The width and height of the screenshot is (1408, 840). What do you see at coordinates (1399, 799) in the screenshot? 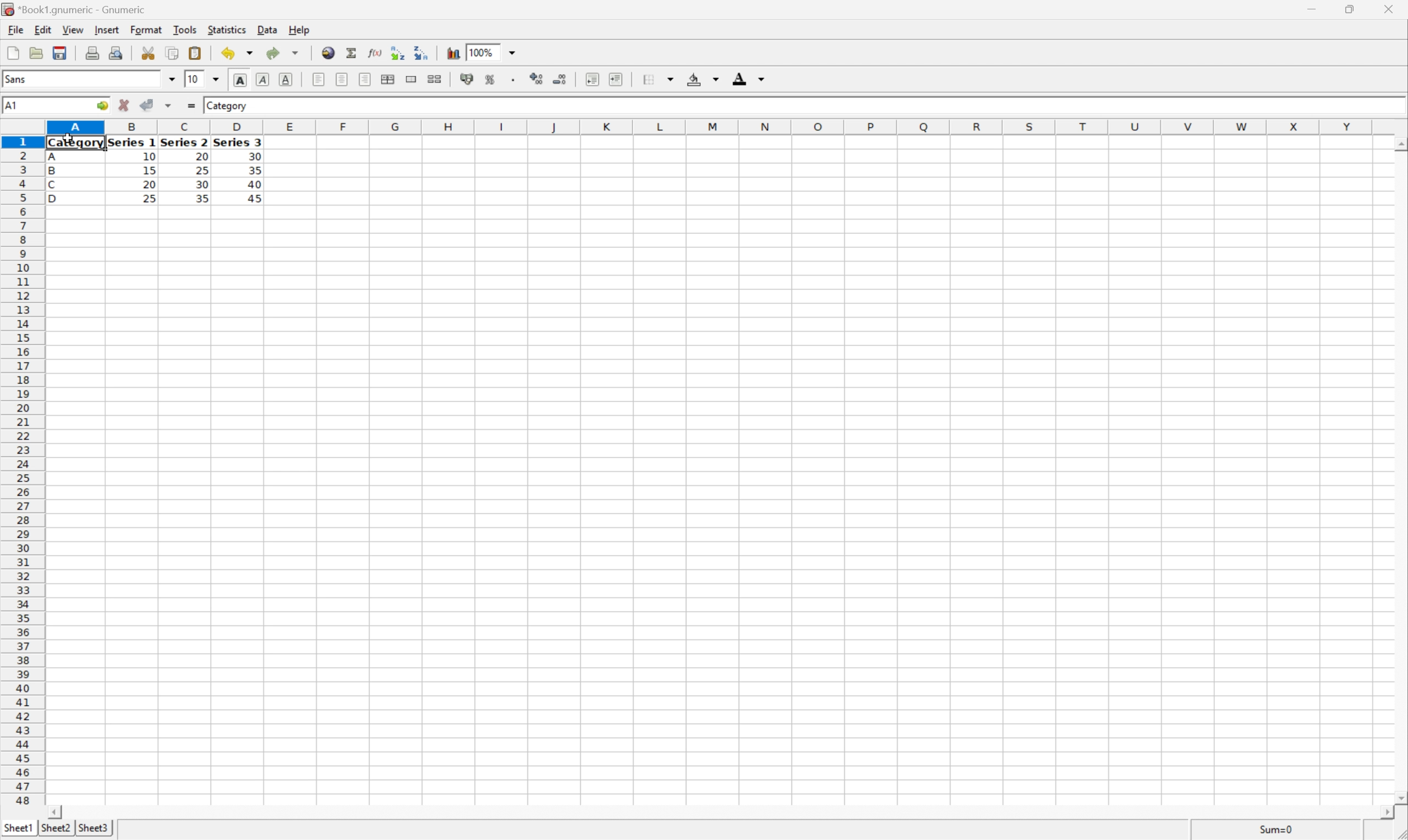
I see `Scroll Down` at bounding box center [1399, 799].